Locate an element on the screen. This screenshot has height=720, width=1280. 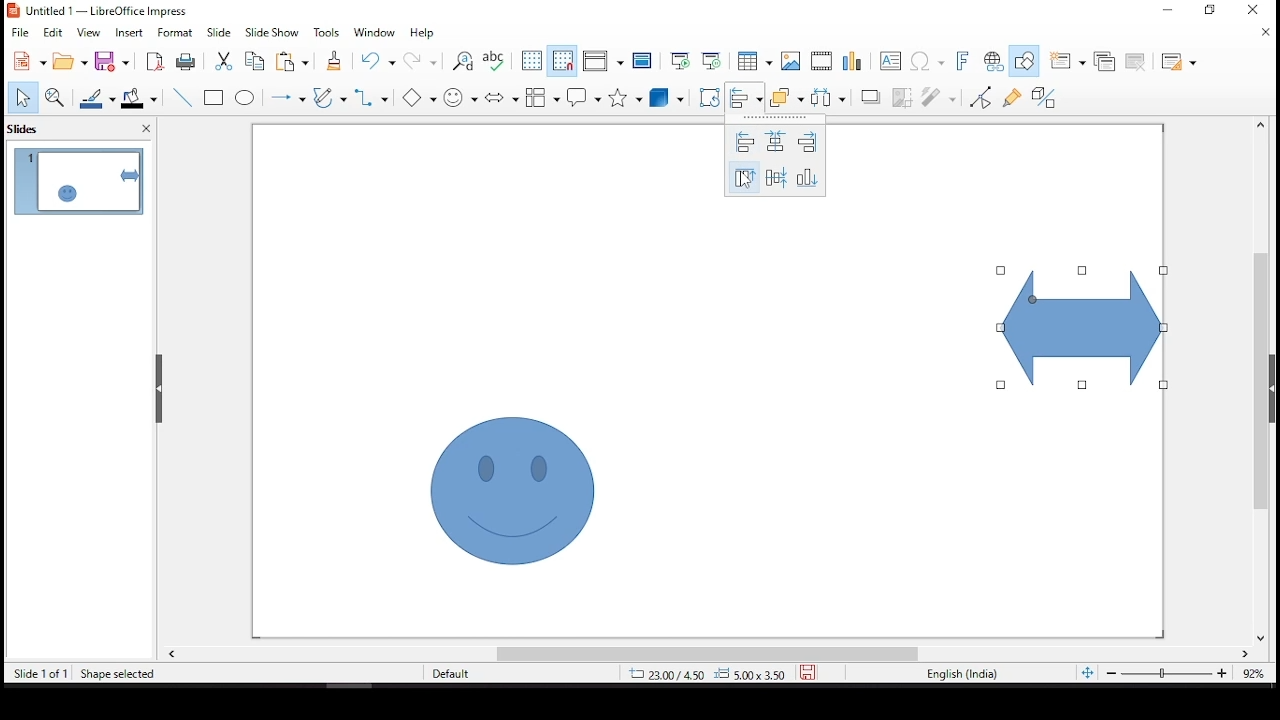
mouse pointer is located at coordinates (746, 182).